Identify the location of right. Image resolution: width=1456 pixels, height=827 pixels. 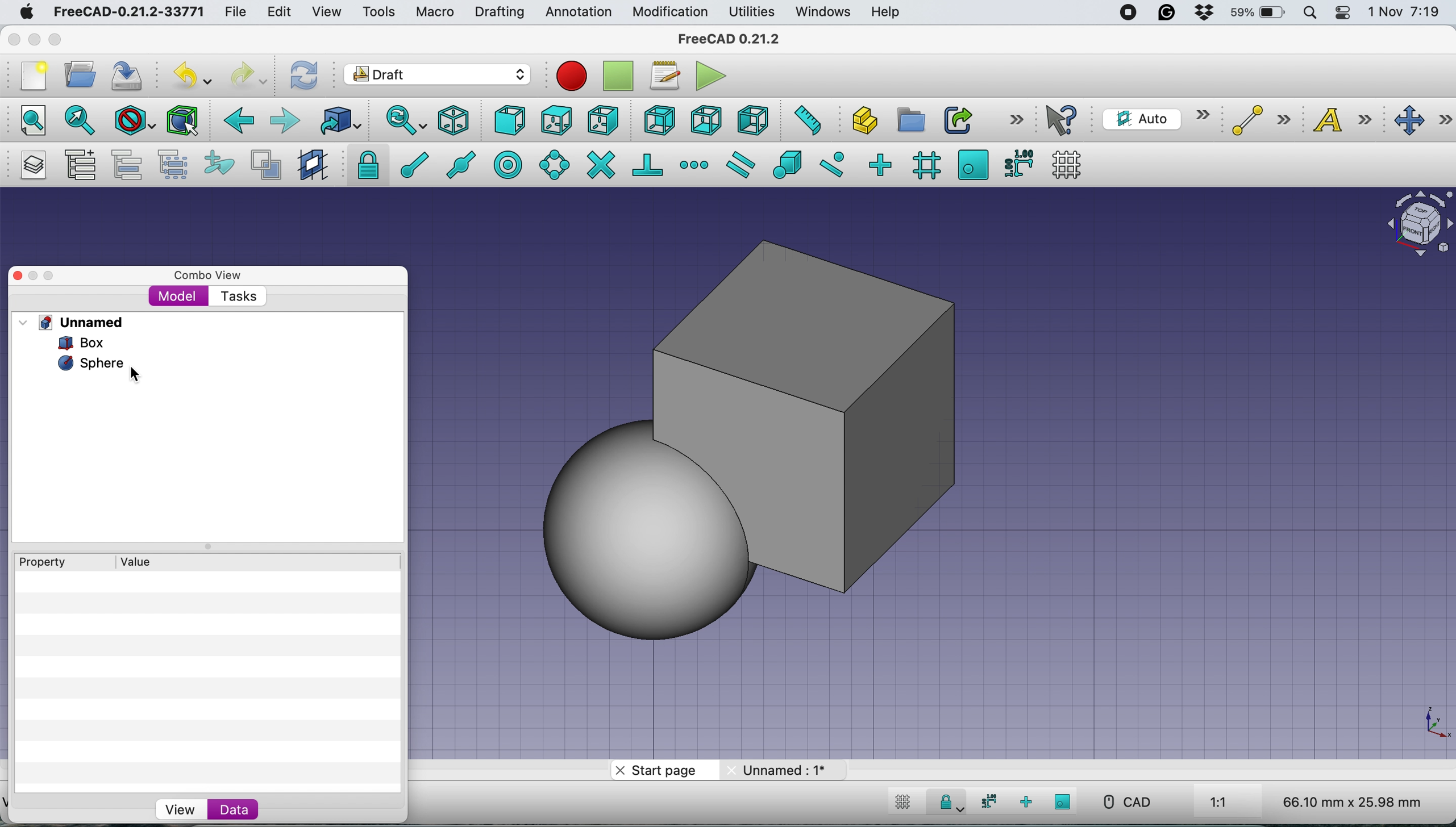
(604, 120).